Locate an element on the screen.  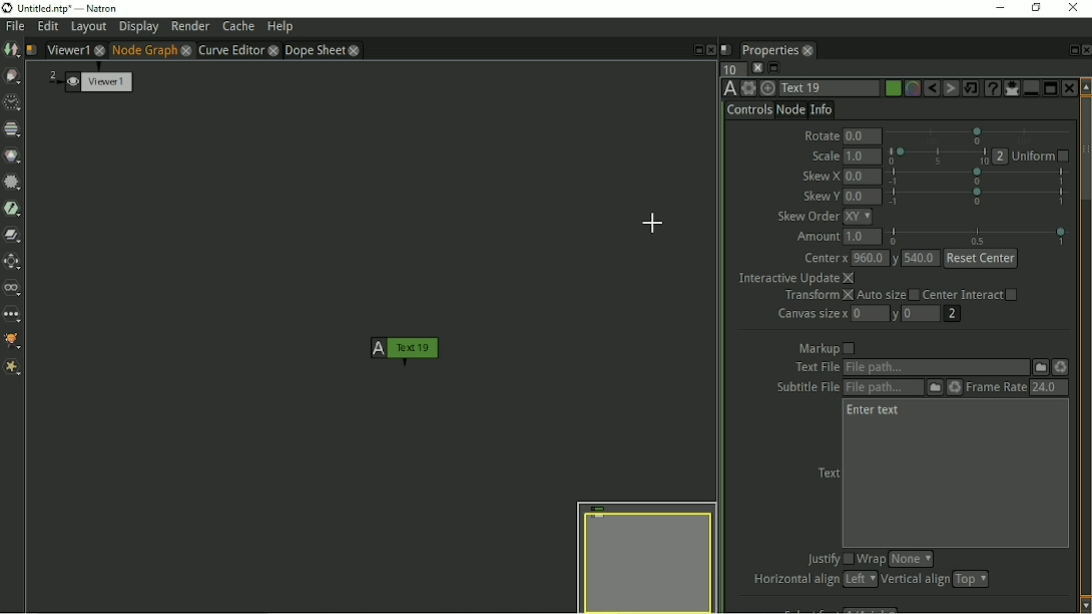
Choose color is located at coordinates (892, 88).